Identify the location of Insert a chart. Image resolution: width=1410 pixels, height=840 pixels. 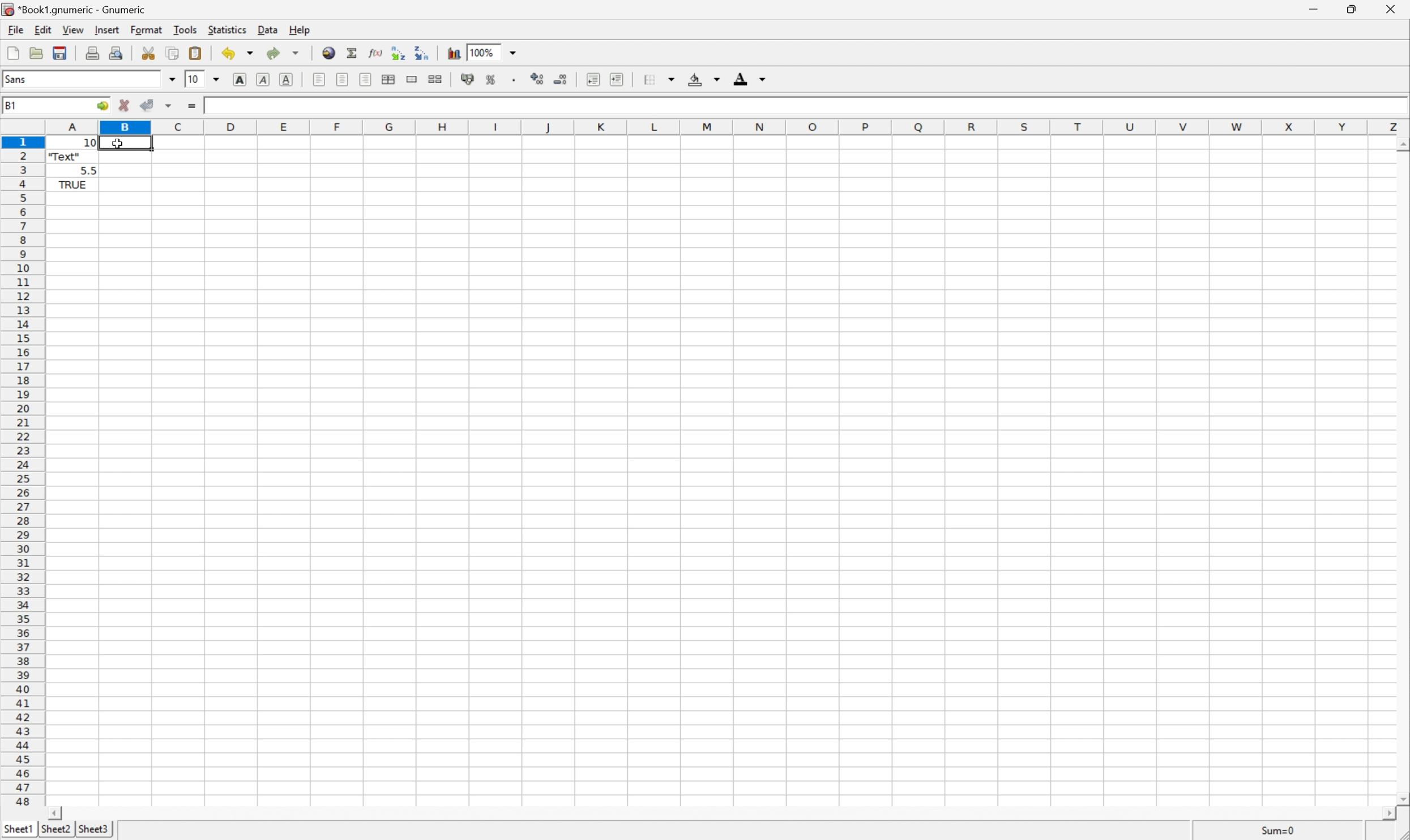
(454, 52).